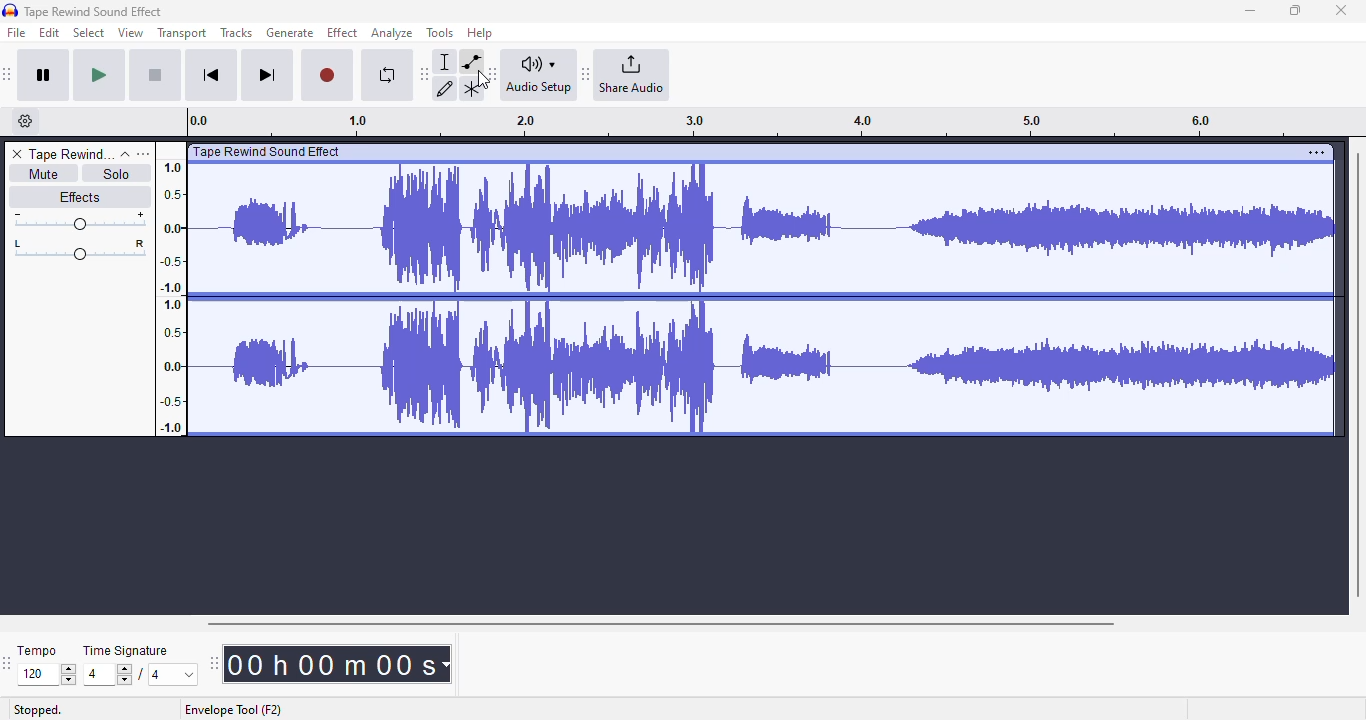 The width and height of the screenshot is (1366, 720). I want to click on tempo, so click(37, 650).